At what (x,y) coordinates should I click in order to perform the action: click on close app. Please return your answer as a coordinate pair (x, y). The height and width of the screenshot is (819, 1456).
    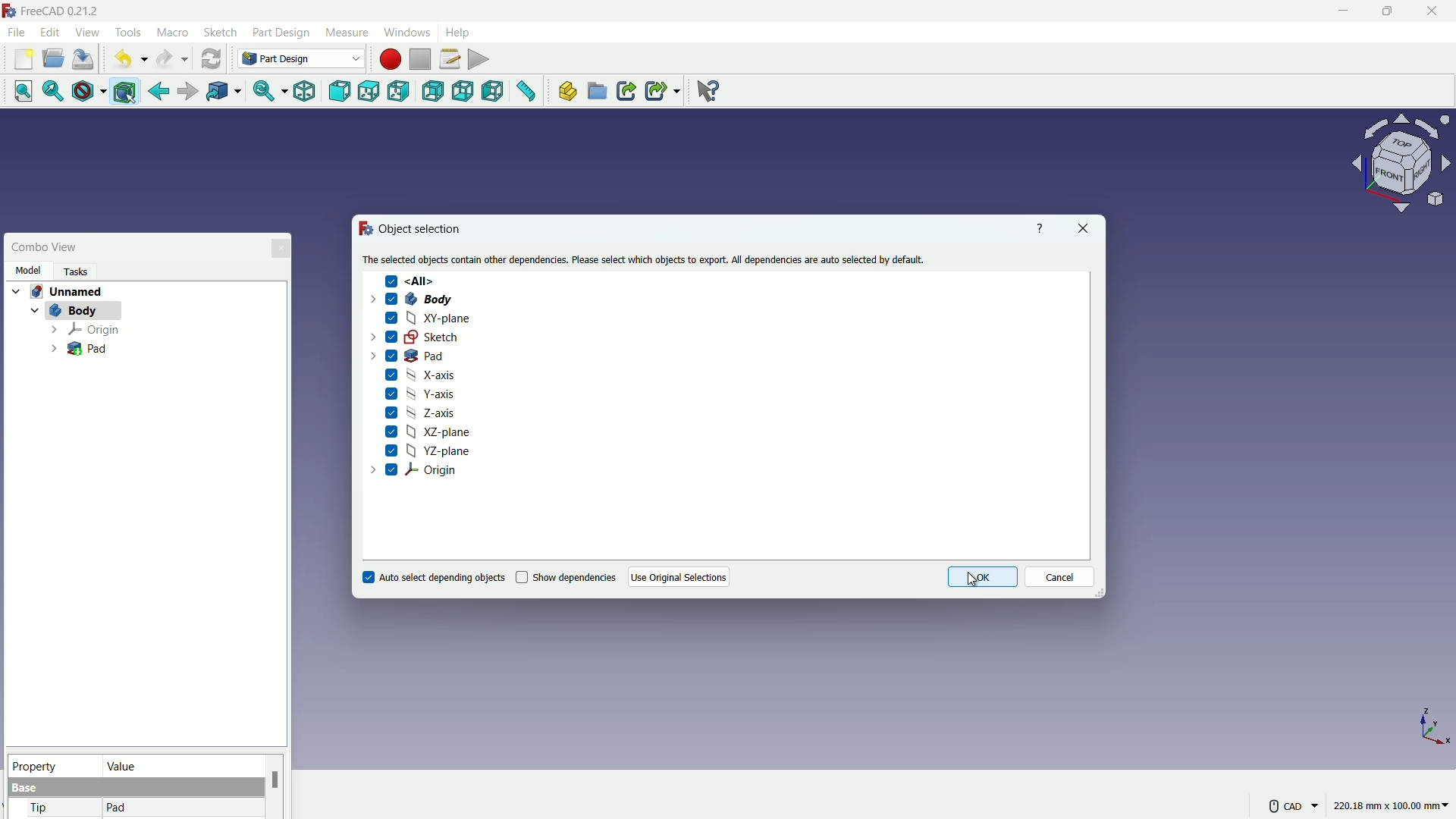
    Looking at the image, I should click on (1433, 11).